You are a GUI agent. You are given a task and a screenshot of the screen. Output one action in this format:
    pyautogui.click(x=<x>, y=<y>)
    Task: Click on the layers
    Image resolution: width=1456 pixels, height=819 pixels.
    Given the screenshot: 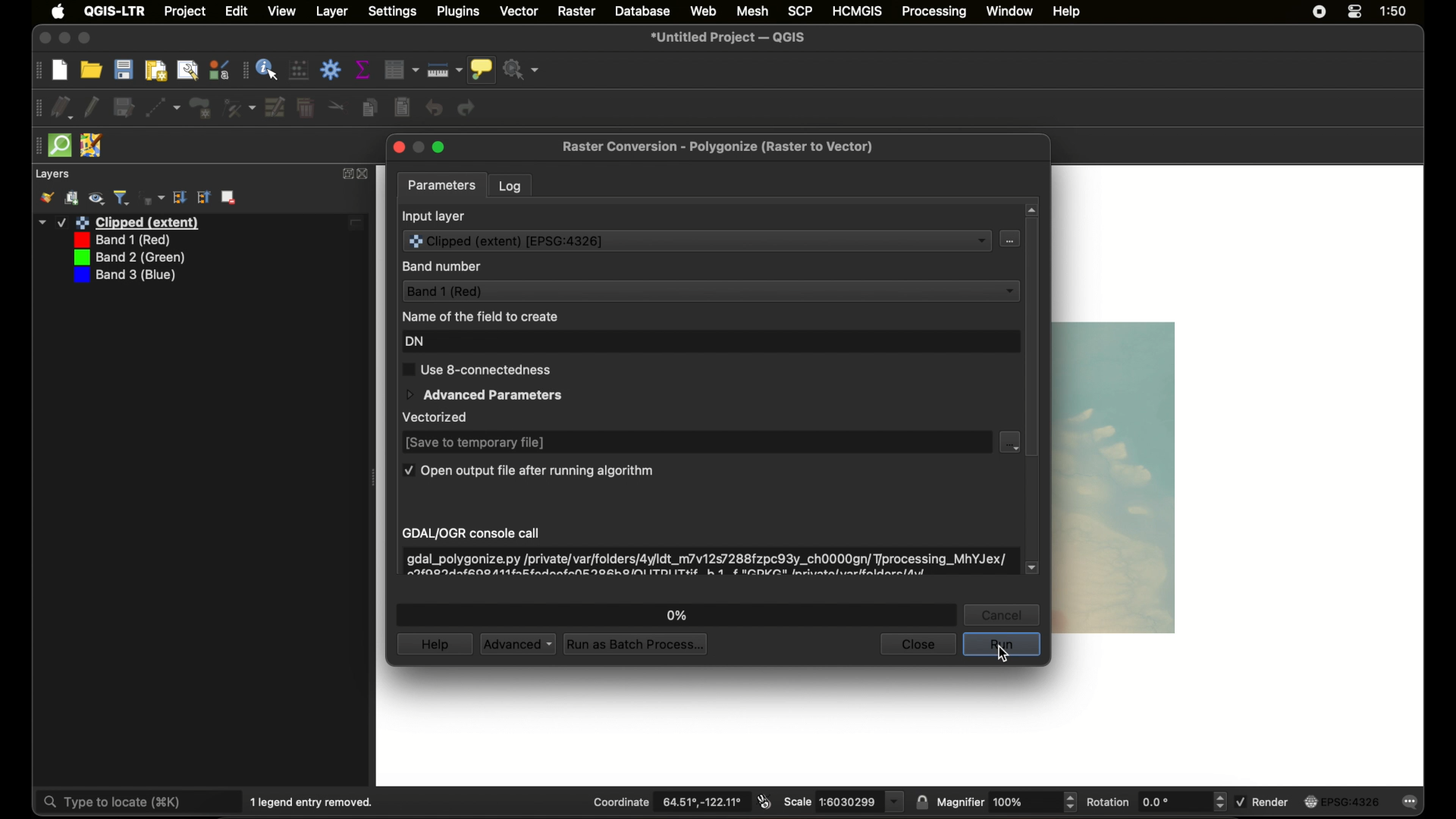 What is the action you would take?
    pyautogui.click(x=52, y=174)
    